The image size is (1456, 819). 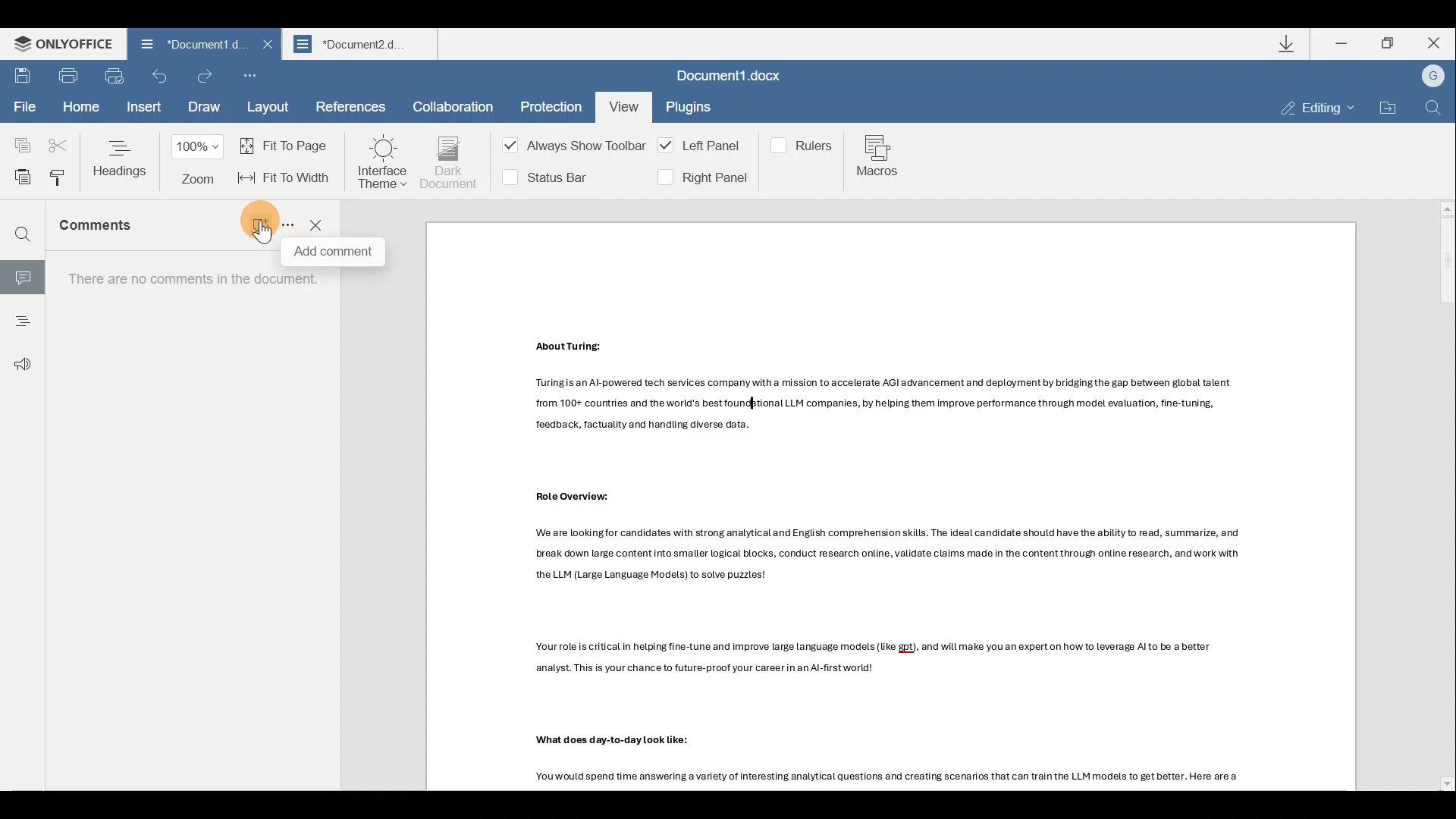 What do you see at coordinates (118, 77) in the screenshot?
I see `Quick print` at bounding box center [118, 77].